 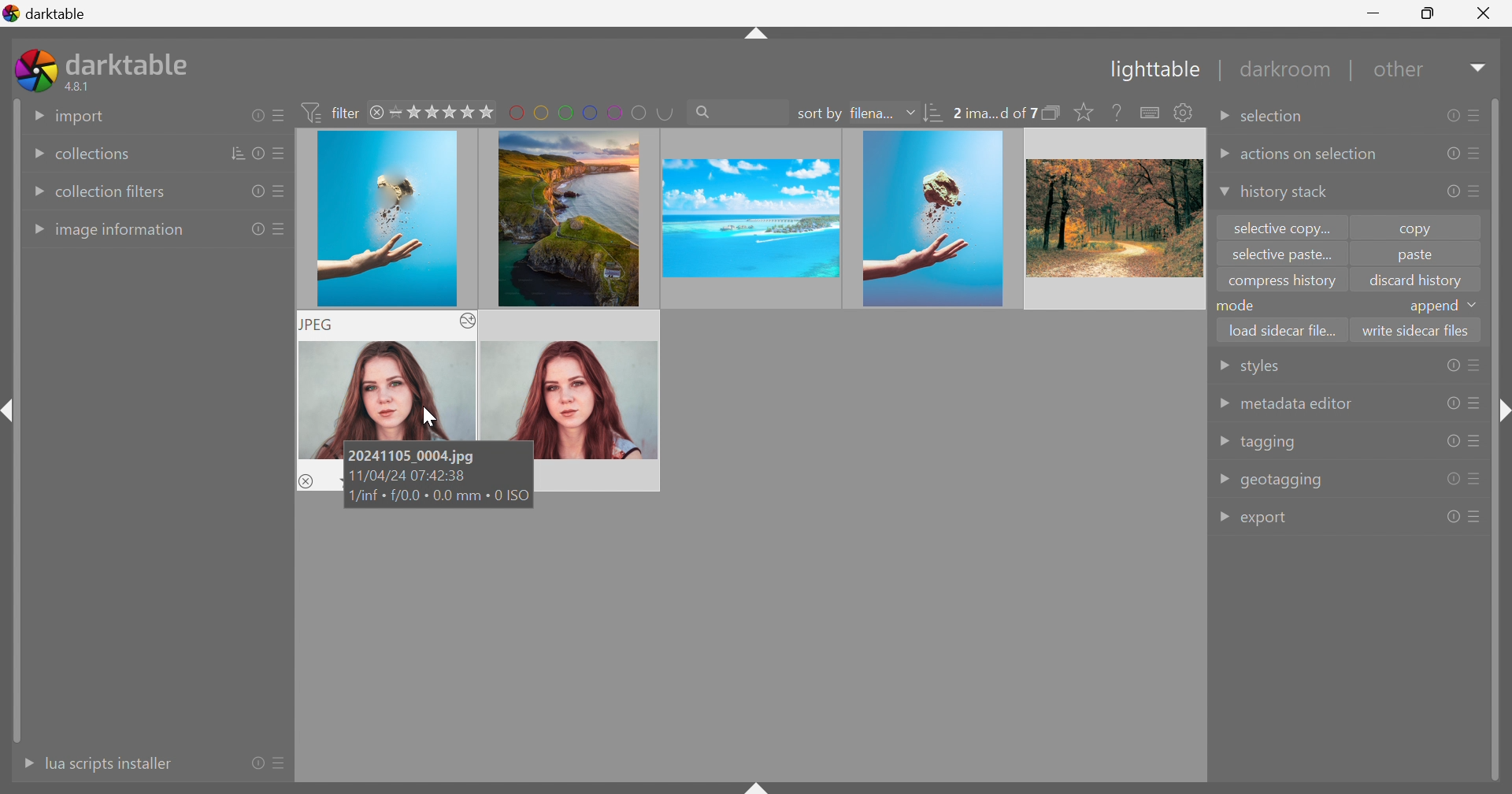 I want to click on copy, so click(x=1423, y=228).